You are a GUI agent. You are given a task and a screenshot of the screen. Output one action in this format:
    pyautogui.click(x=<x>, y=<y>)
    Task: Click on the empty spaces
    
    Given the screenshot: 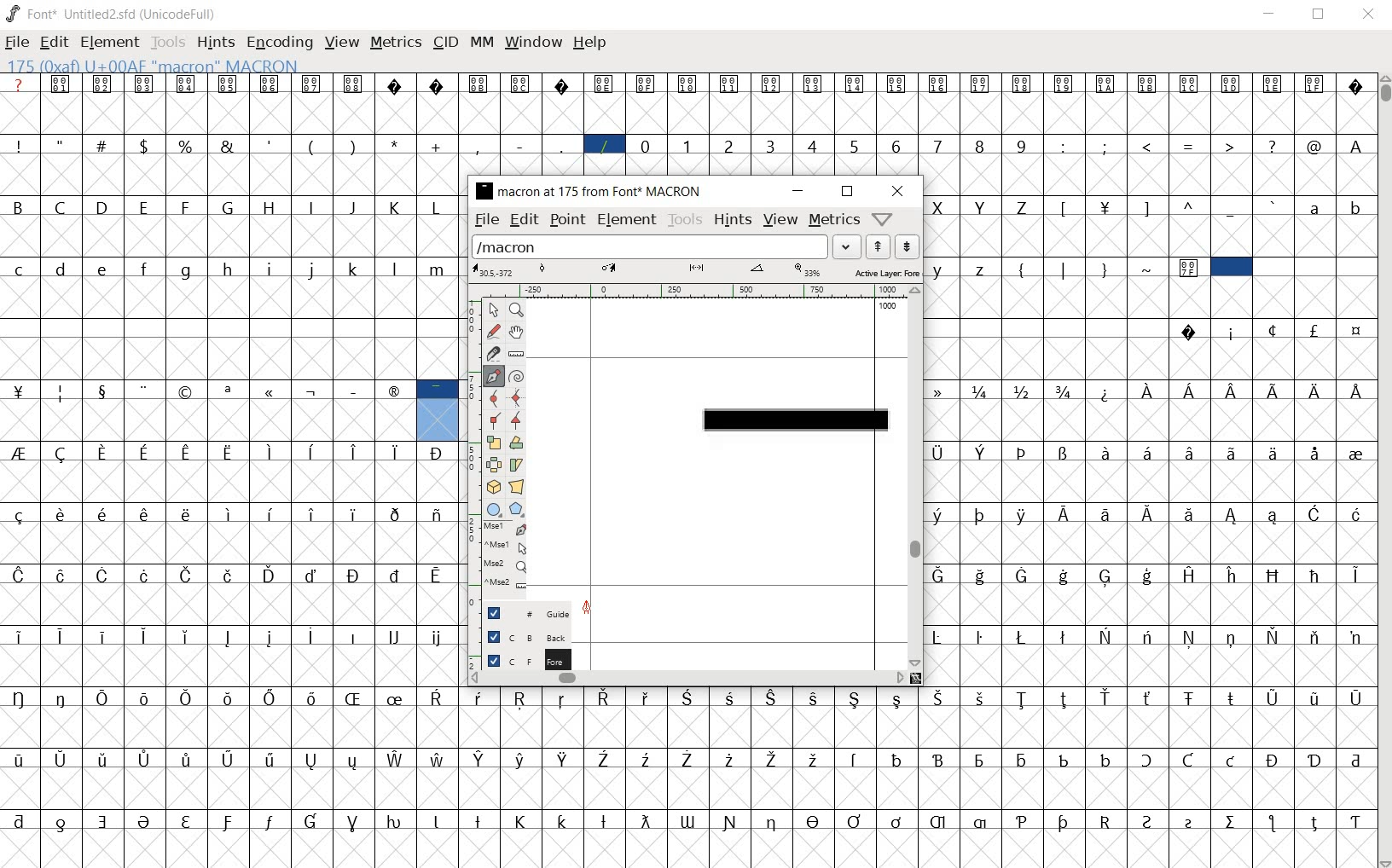 What is the action you would take?
    pyautogui.click(x=1047, y=328)
    